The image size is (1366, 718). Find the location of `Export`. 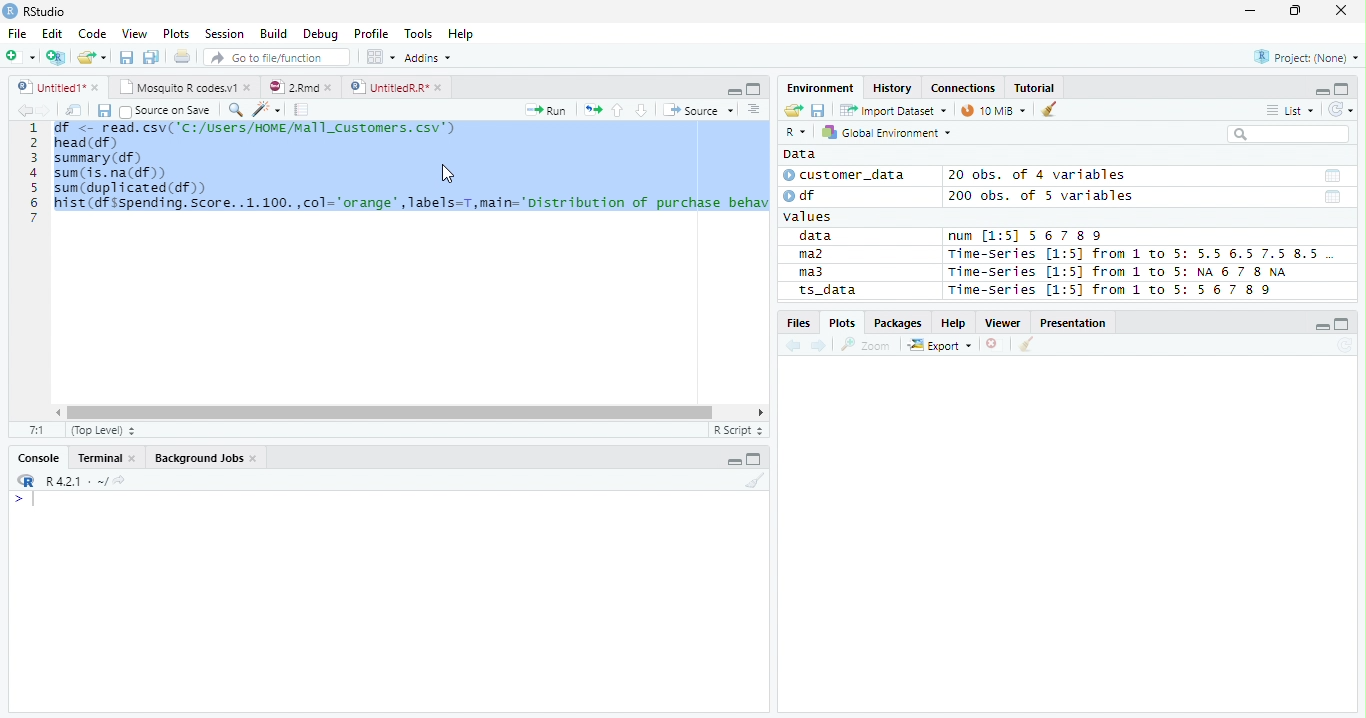

Export is located at coordinates (940, 346).